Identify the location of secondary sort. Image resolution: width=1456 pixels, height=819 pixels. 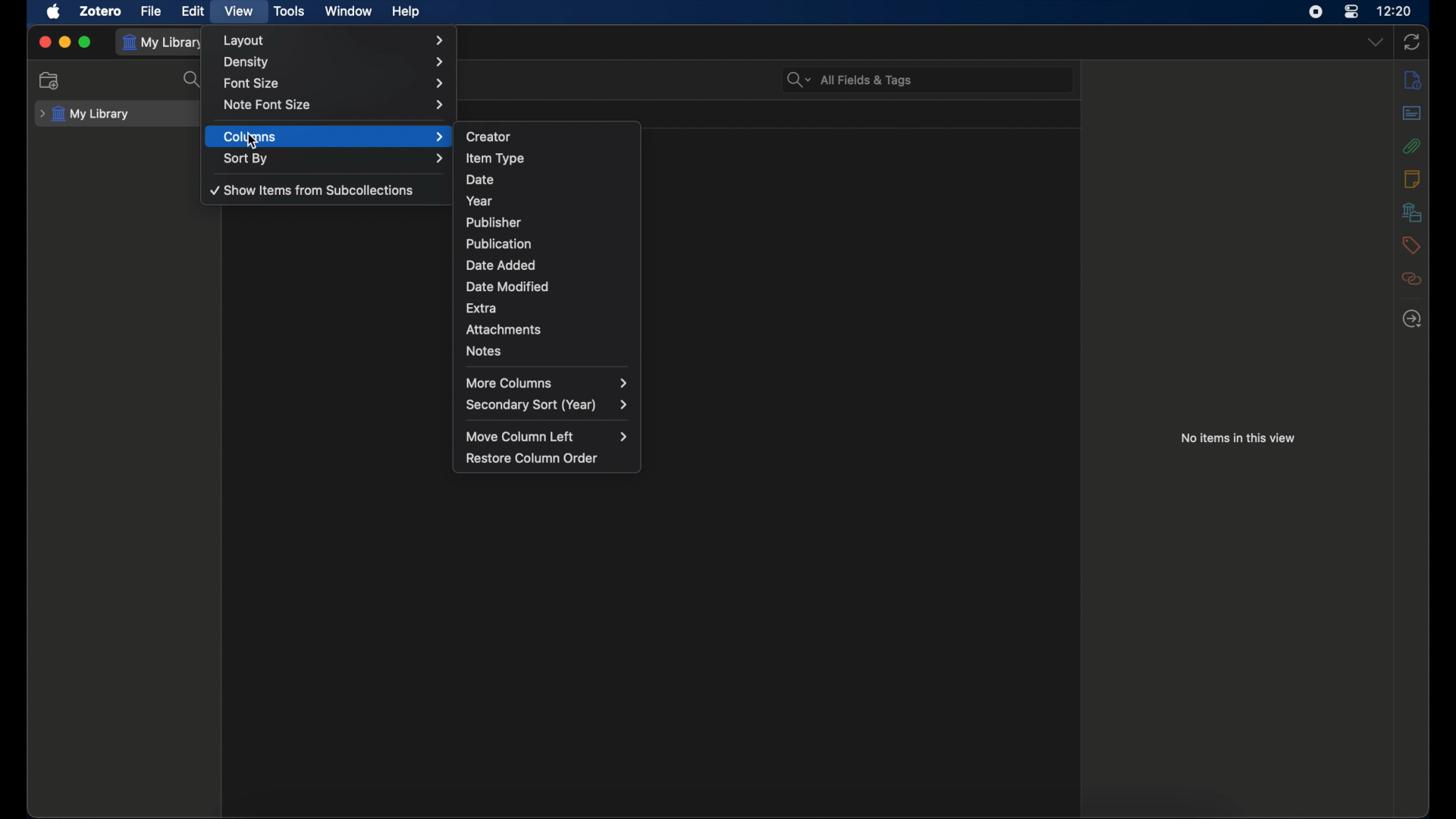
(547, 405).